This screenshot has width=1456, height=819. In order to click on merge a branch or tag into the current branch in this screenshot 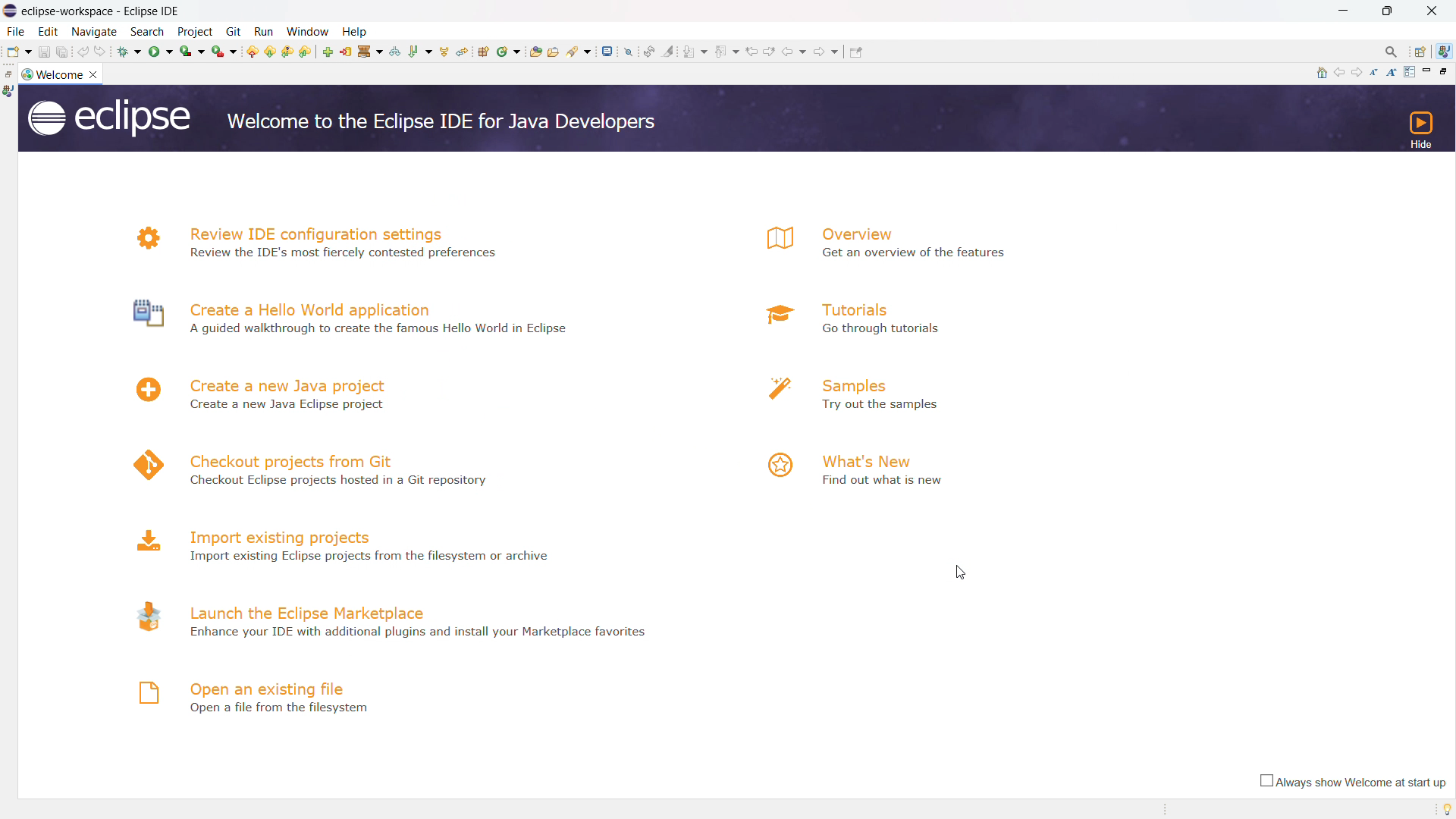, I will do `click(444, 50)`.